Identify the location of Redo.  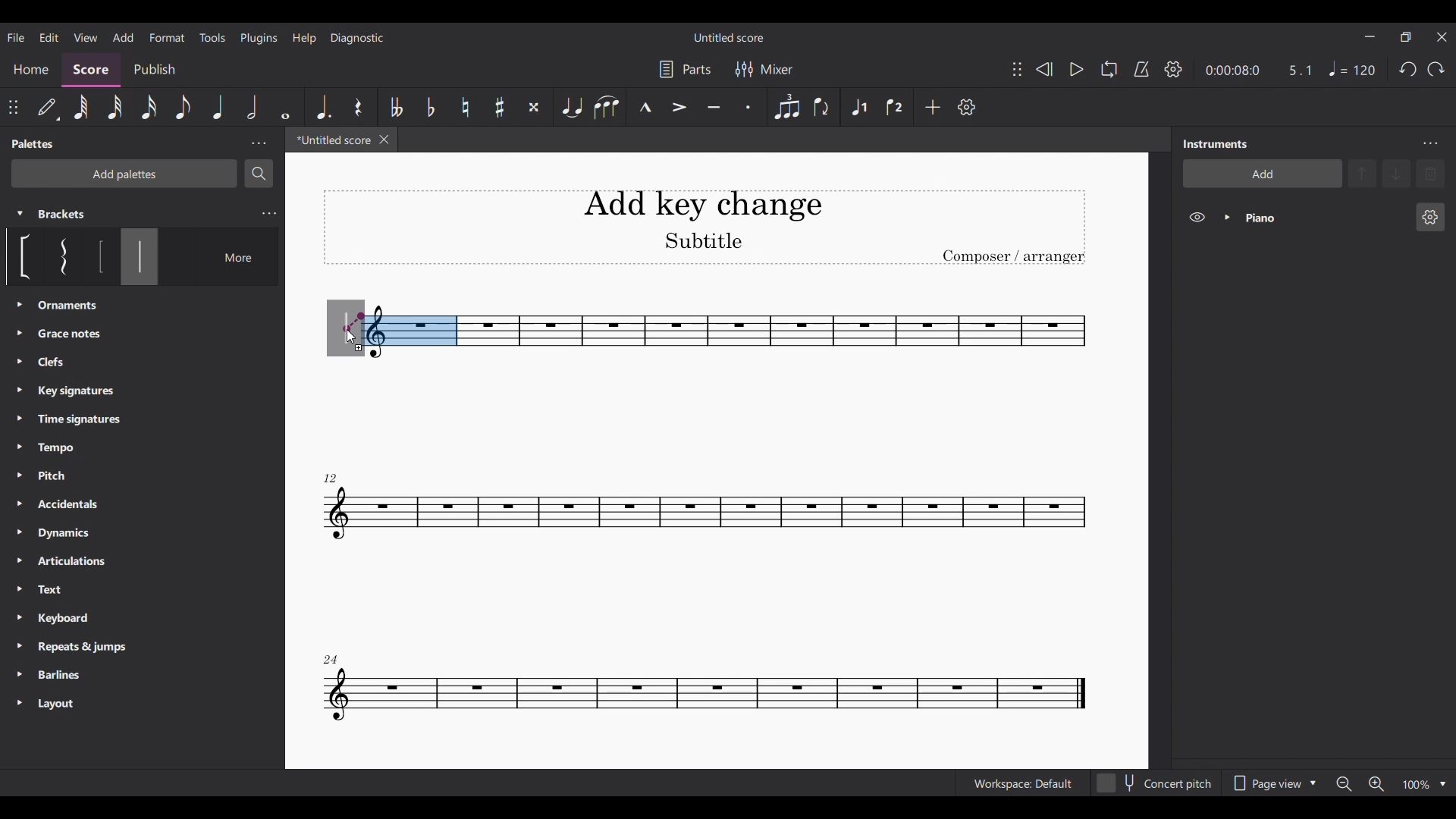
(1436, 69).